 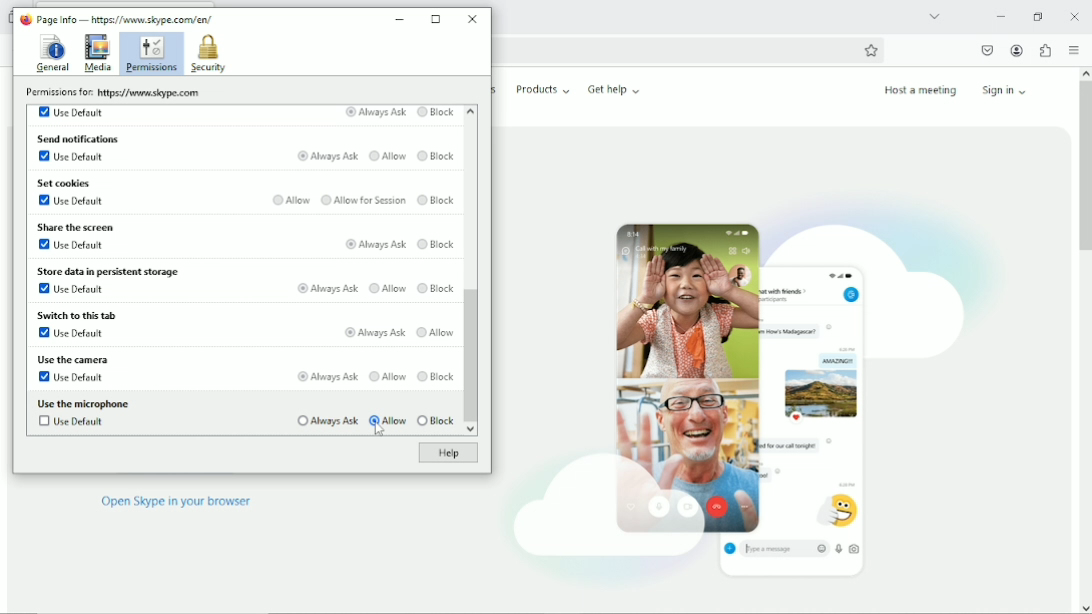 What do you see at coordinates (74, 158) in the screenshot?
I see `Use default` at bounding box center [74, 158].